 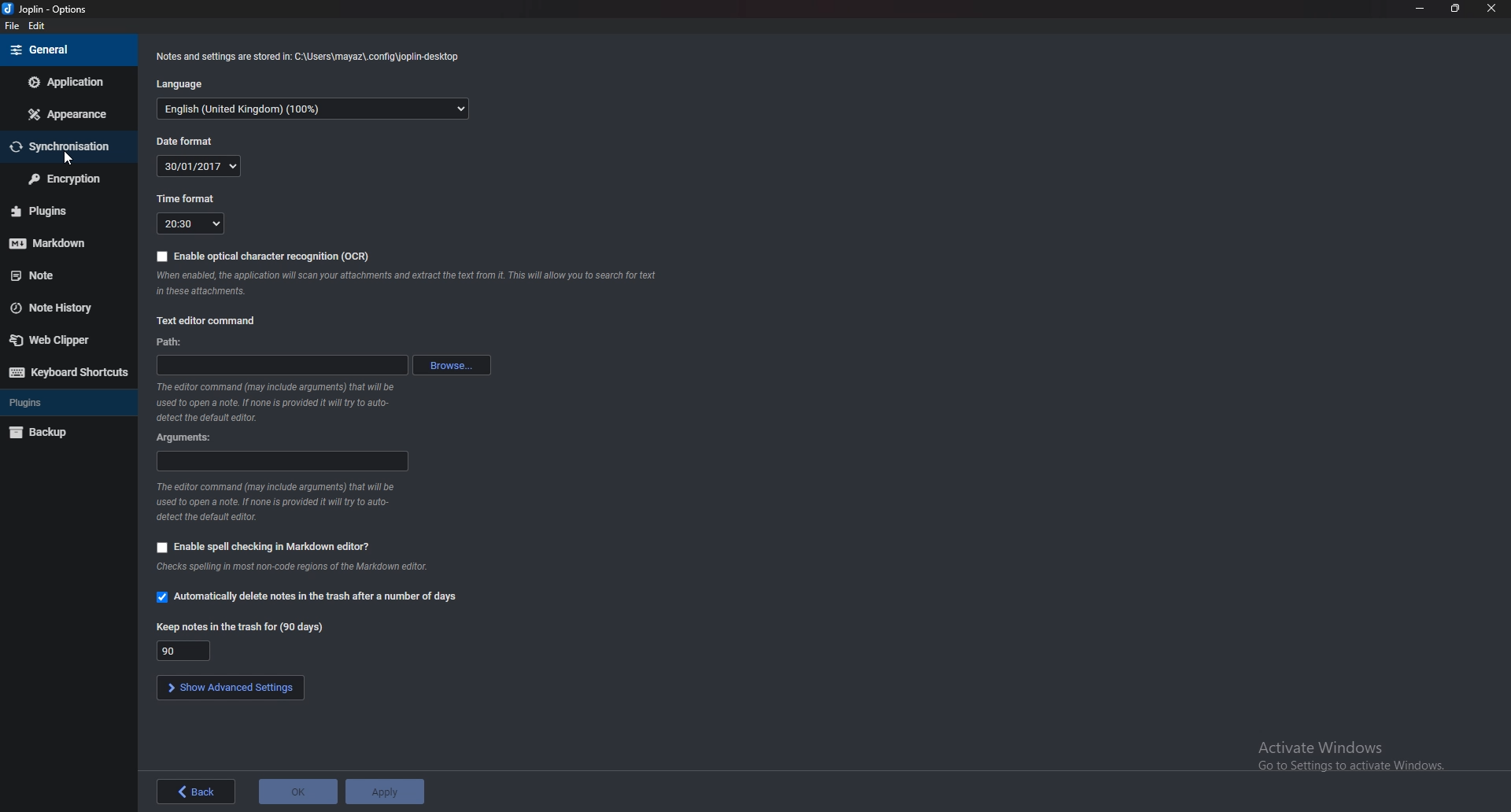 I want to click on date format, so click(x=183, y=141).